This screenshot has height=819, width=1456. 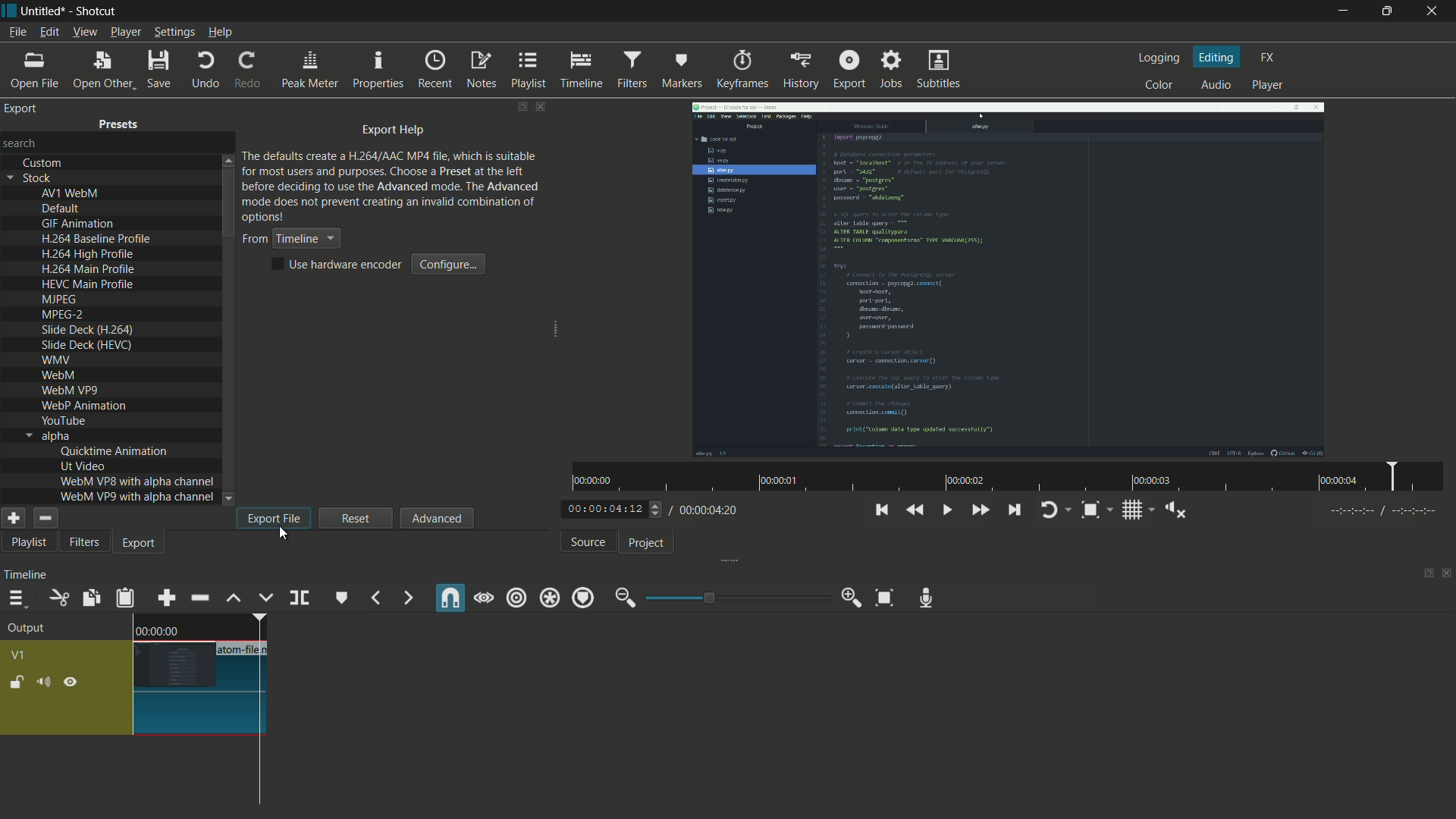 I want to click on filters, so click(x=632, y=69).